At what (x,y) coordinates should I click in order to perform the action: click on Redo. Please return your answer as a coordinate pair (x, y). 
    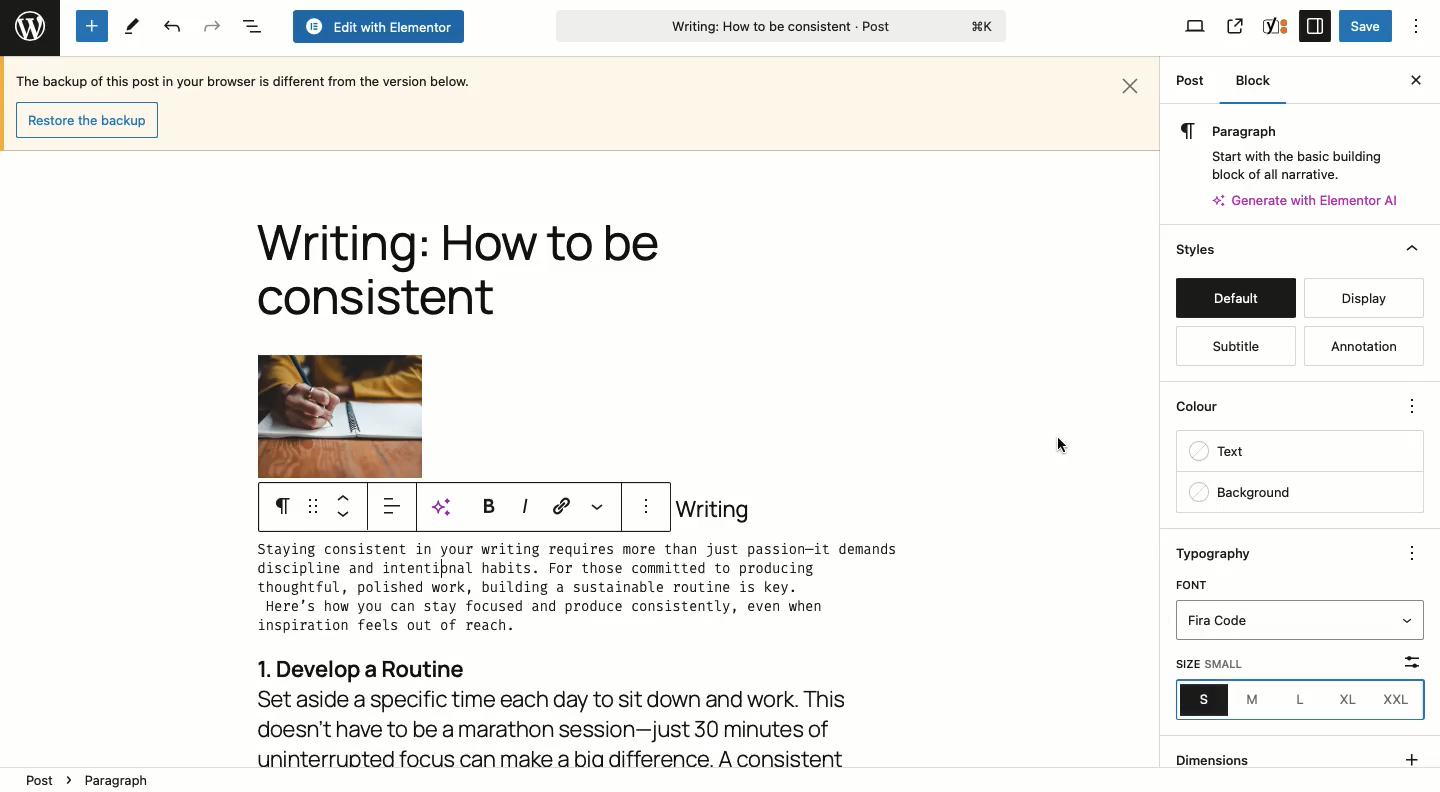
    Looking at the image, I should click on (212, 26).